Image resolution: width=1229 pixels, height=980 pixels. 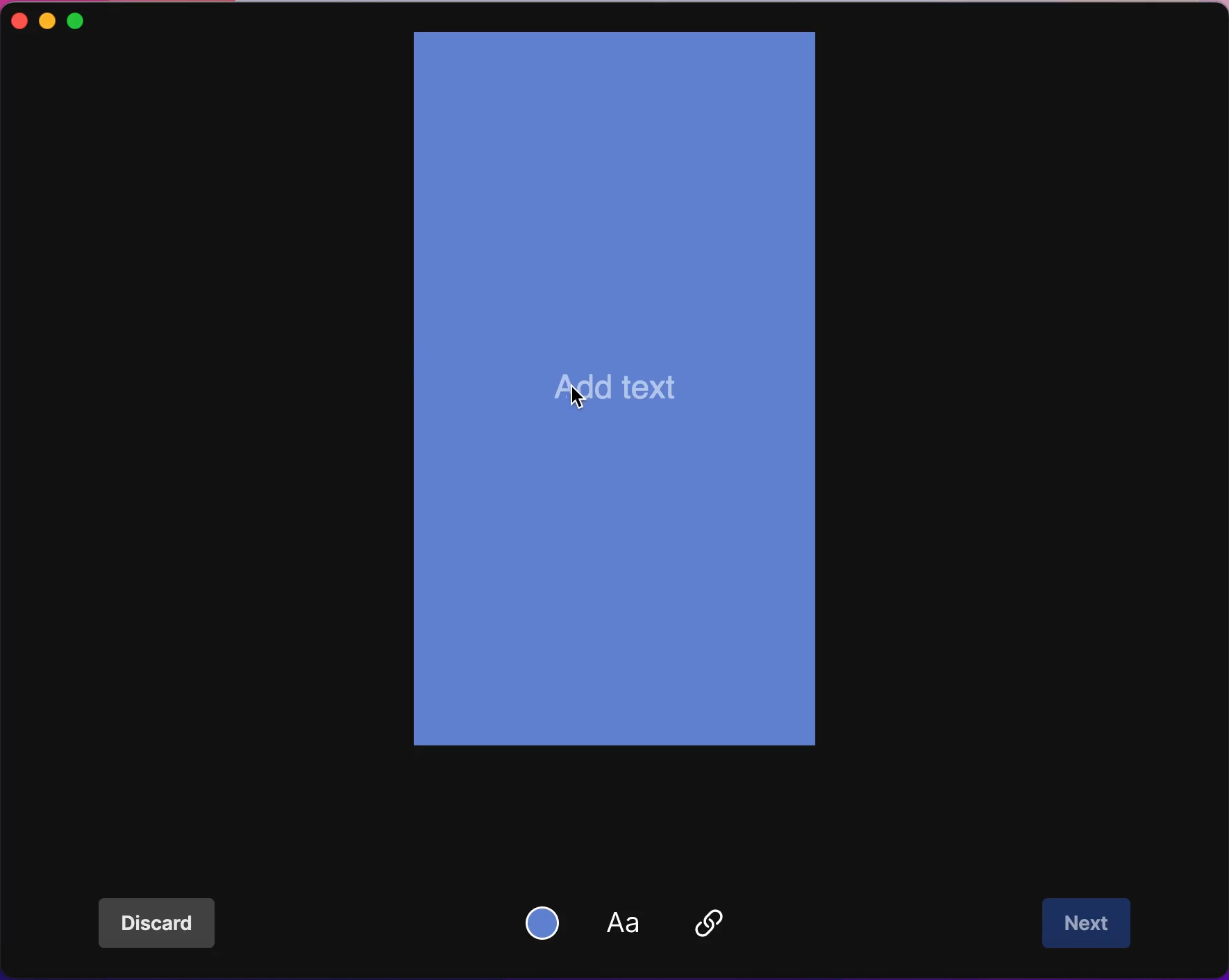 What do you see at coordinates (622, 391) in the screenshot?
I see `add text in story` at bounding box center [622, 391].